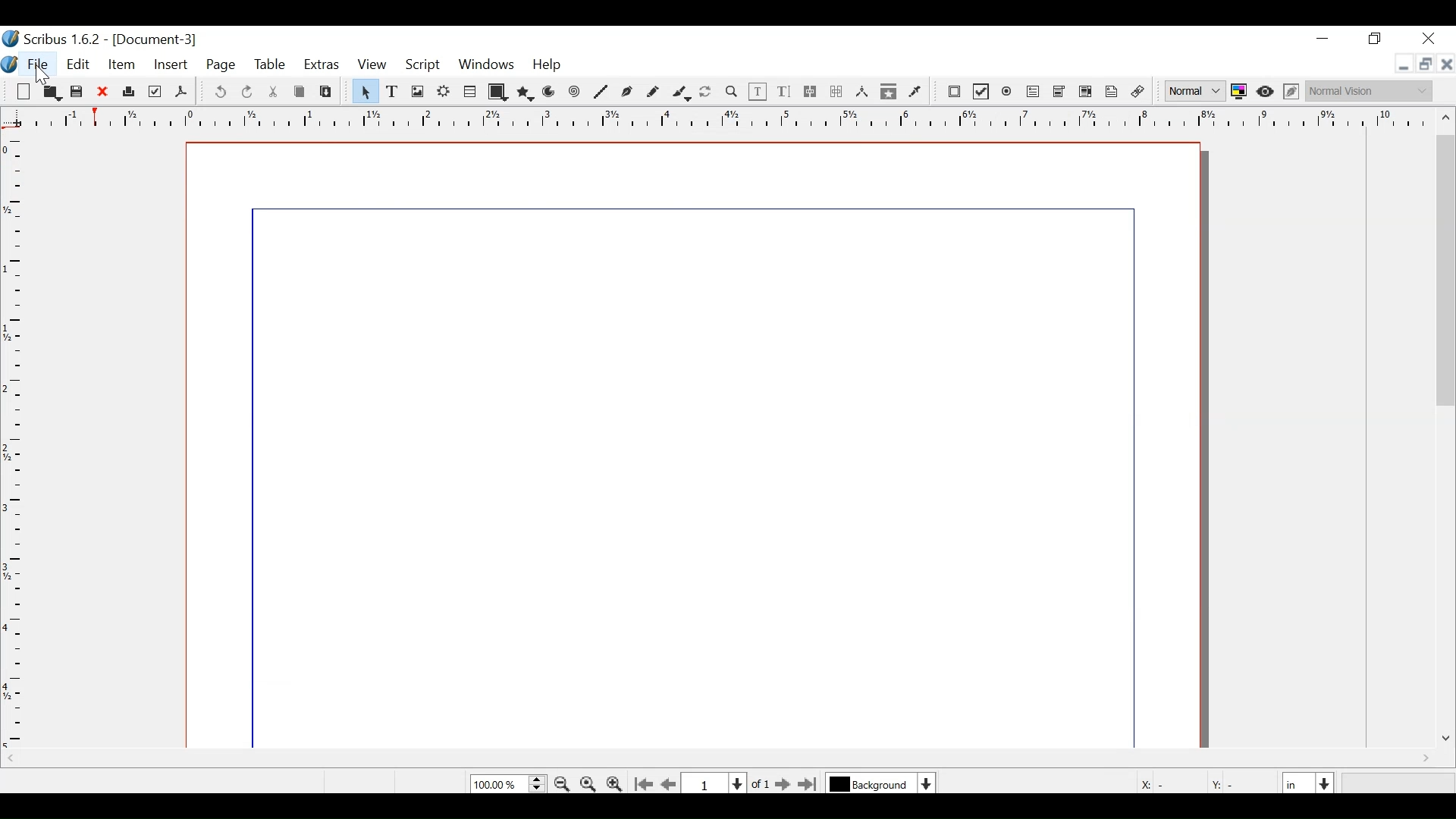  I want to click on Copy items in Editor, so click(889, 93).